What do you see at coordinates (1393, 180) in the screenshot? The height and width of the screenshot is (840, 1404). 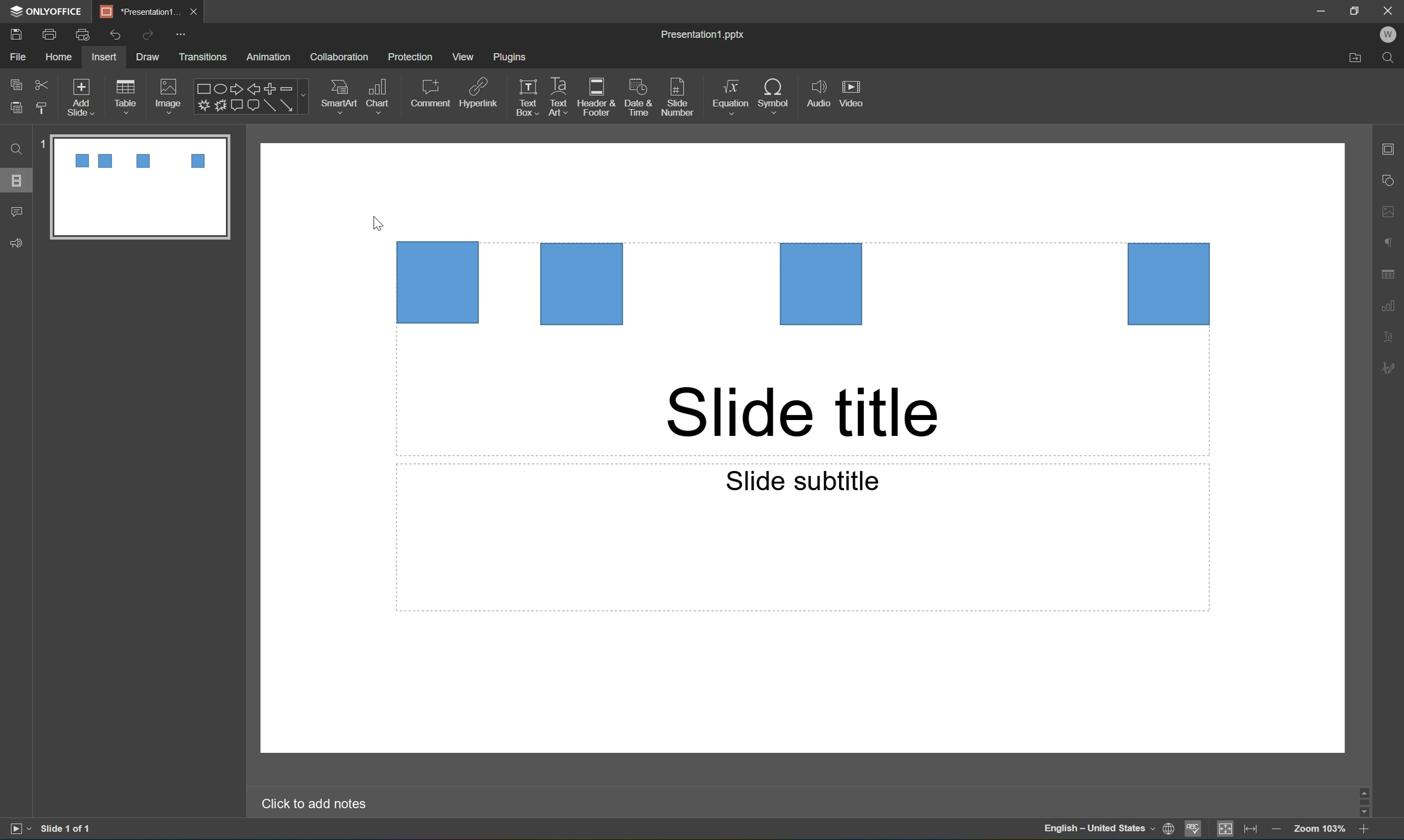 I see `shape settings` at bounding box center [1393, 180].